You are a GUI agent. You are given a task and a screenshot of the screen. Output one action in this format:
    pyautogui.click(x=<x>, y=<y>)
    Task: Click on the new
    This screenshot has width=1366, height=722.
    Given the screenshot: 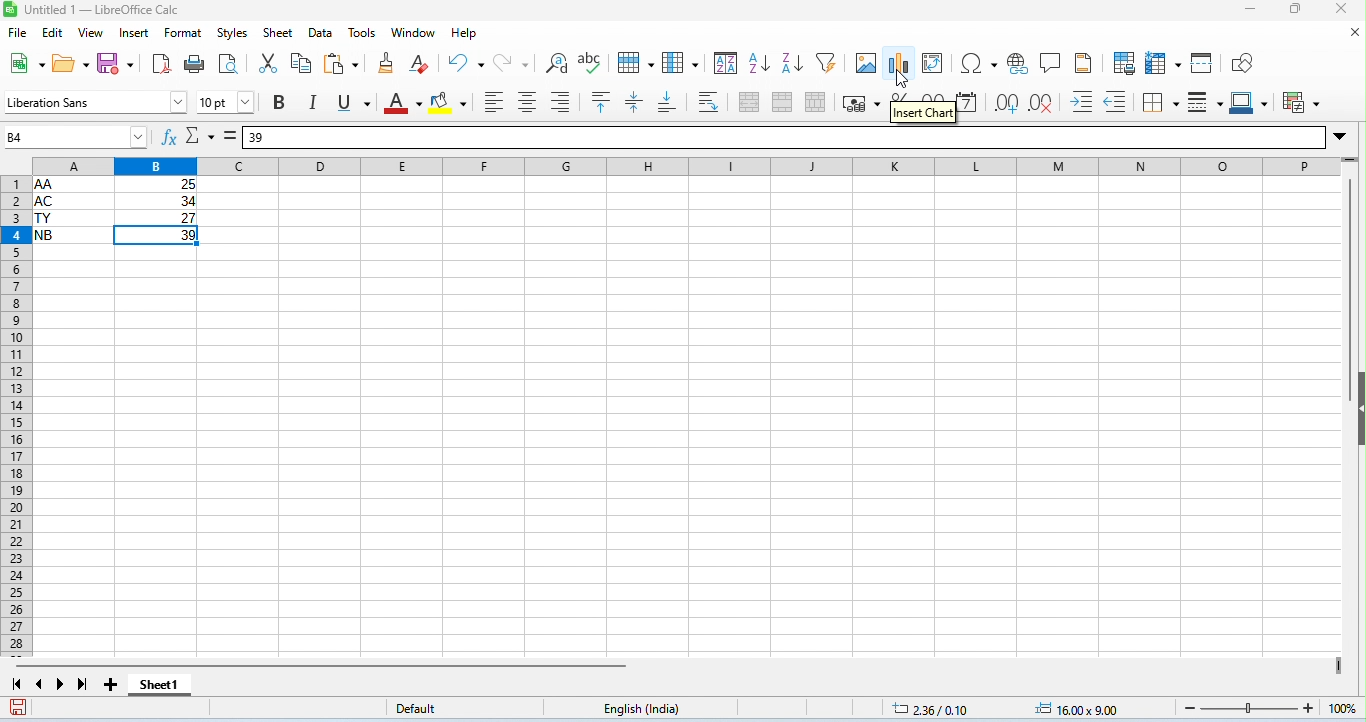 What is the action you would take?
    pyautogui.click(x=28, y=63)
    